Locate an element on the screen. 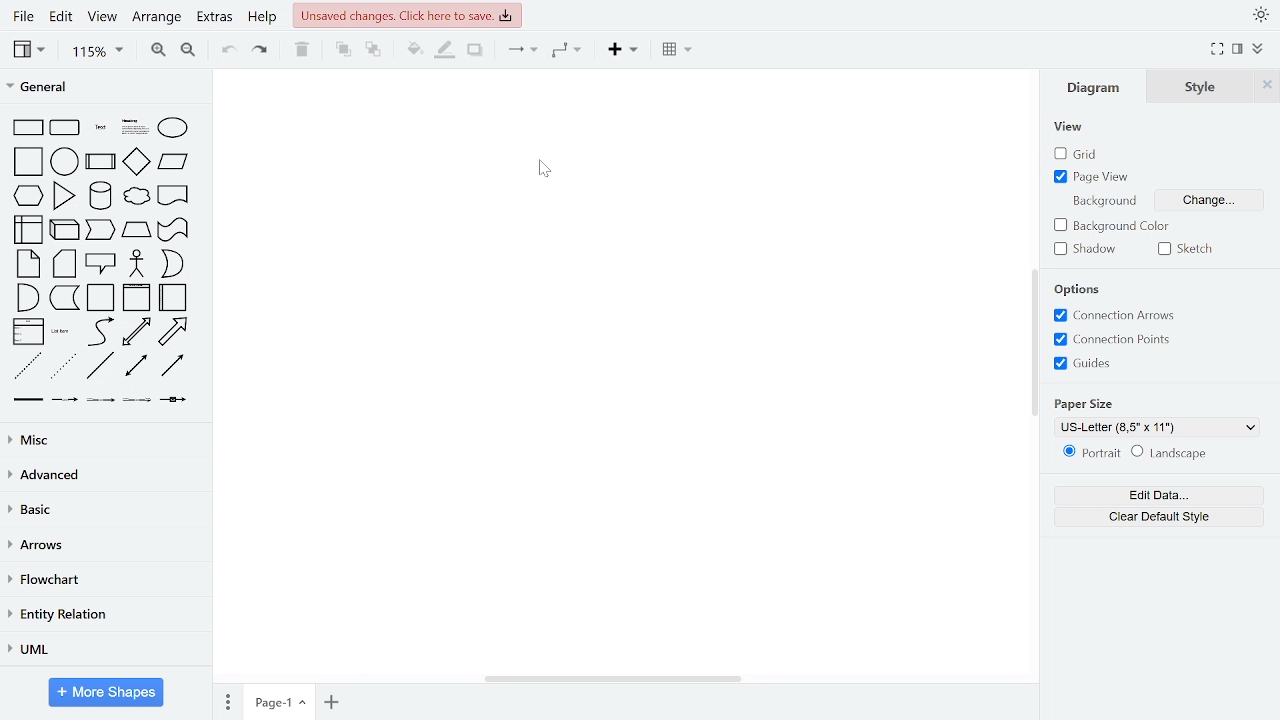  advanced is located at coordinates (102, 475).